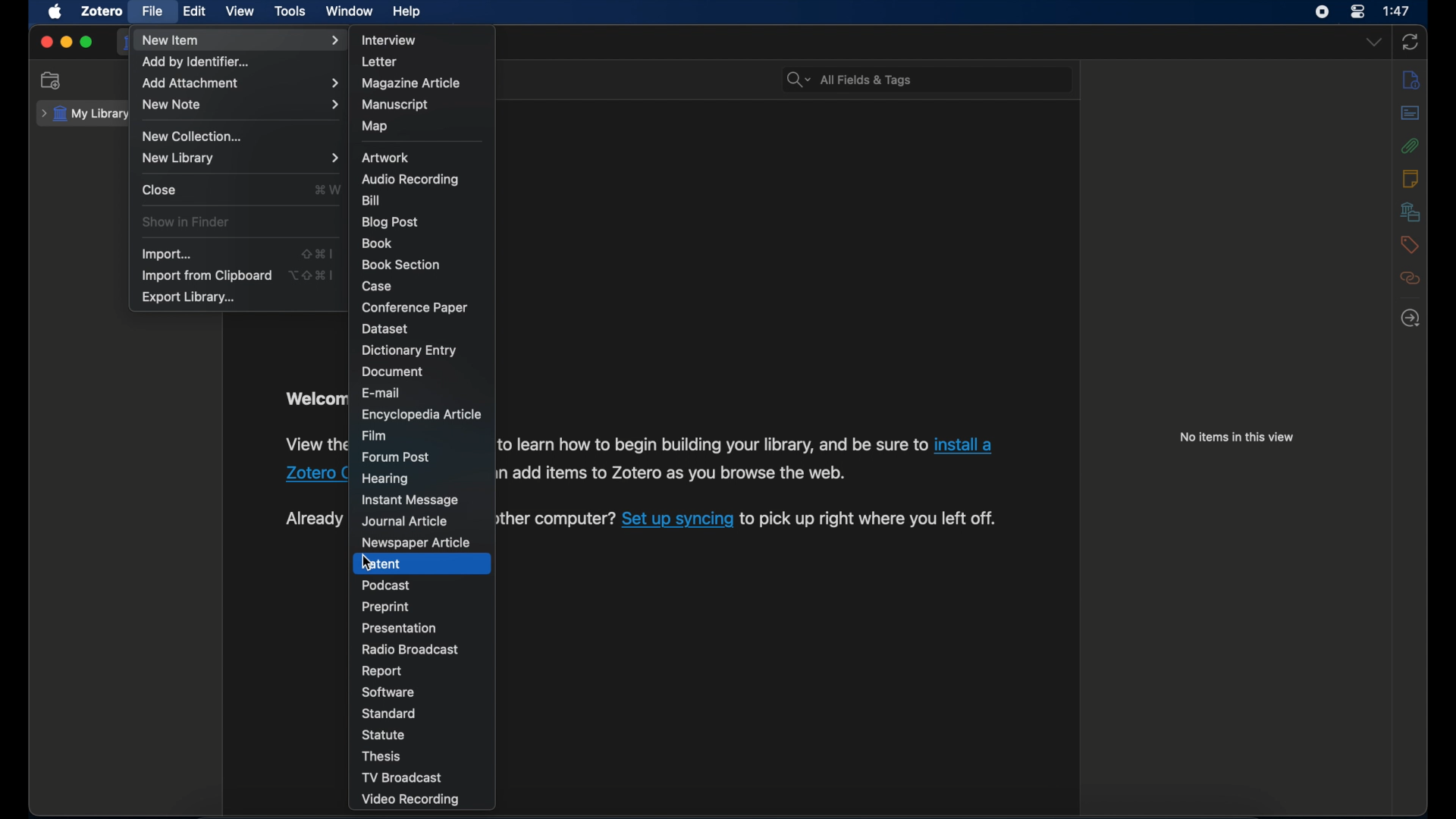  Describe the element at coordinates (318, 253) in the screenshot. I see `shift + command + I` at that location.